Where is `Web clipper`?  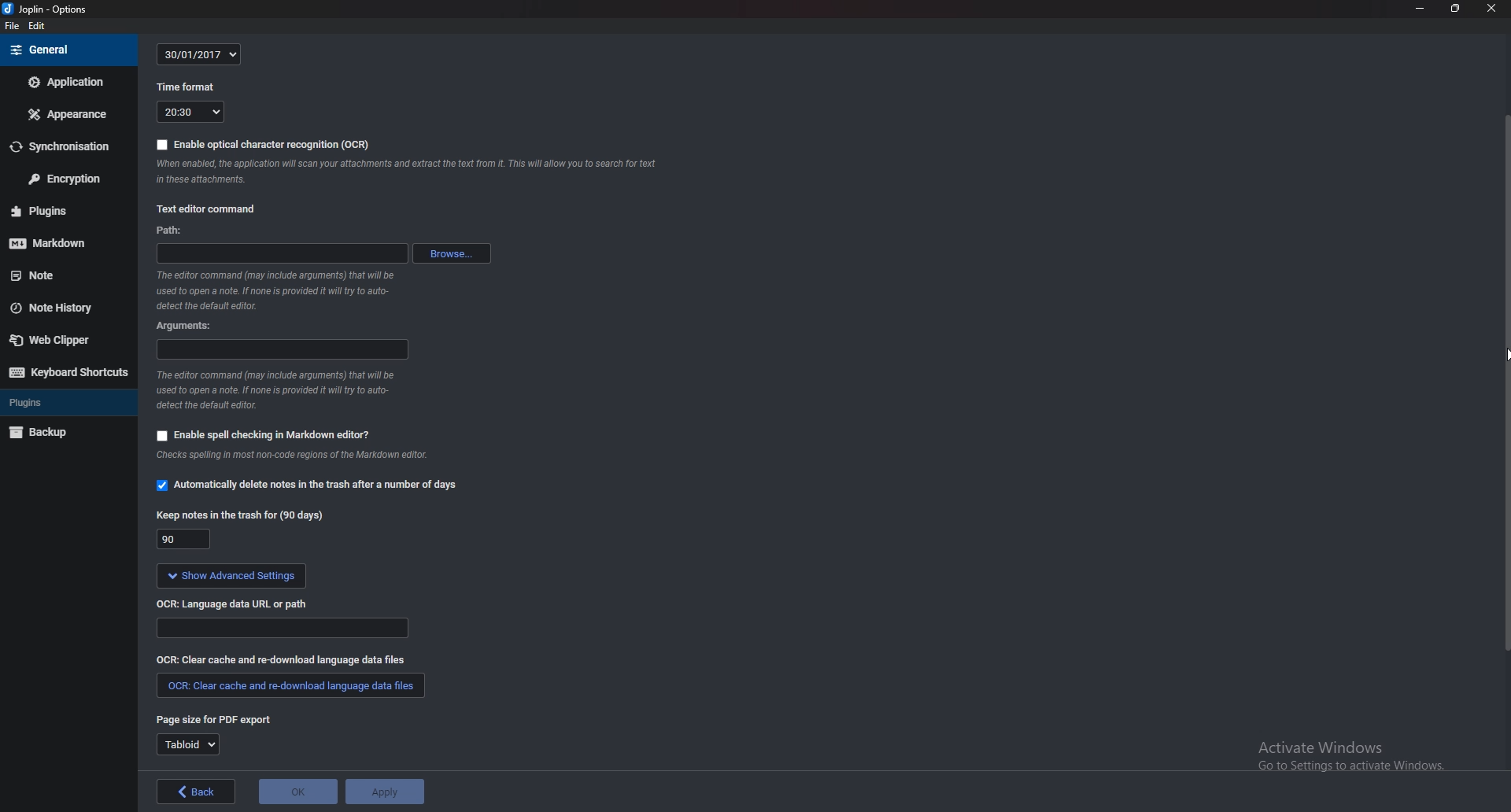 Web clipper is located at coordinates (65, 338).